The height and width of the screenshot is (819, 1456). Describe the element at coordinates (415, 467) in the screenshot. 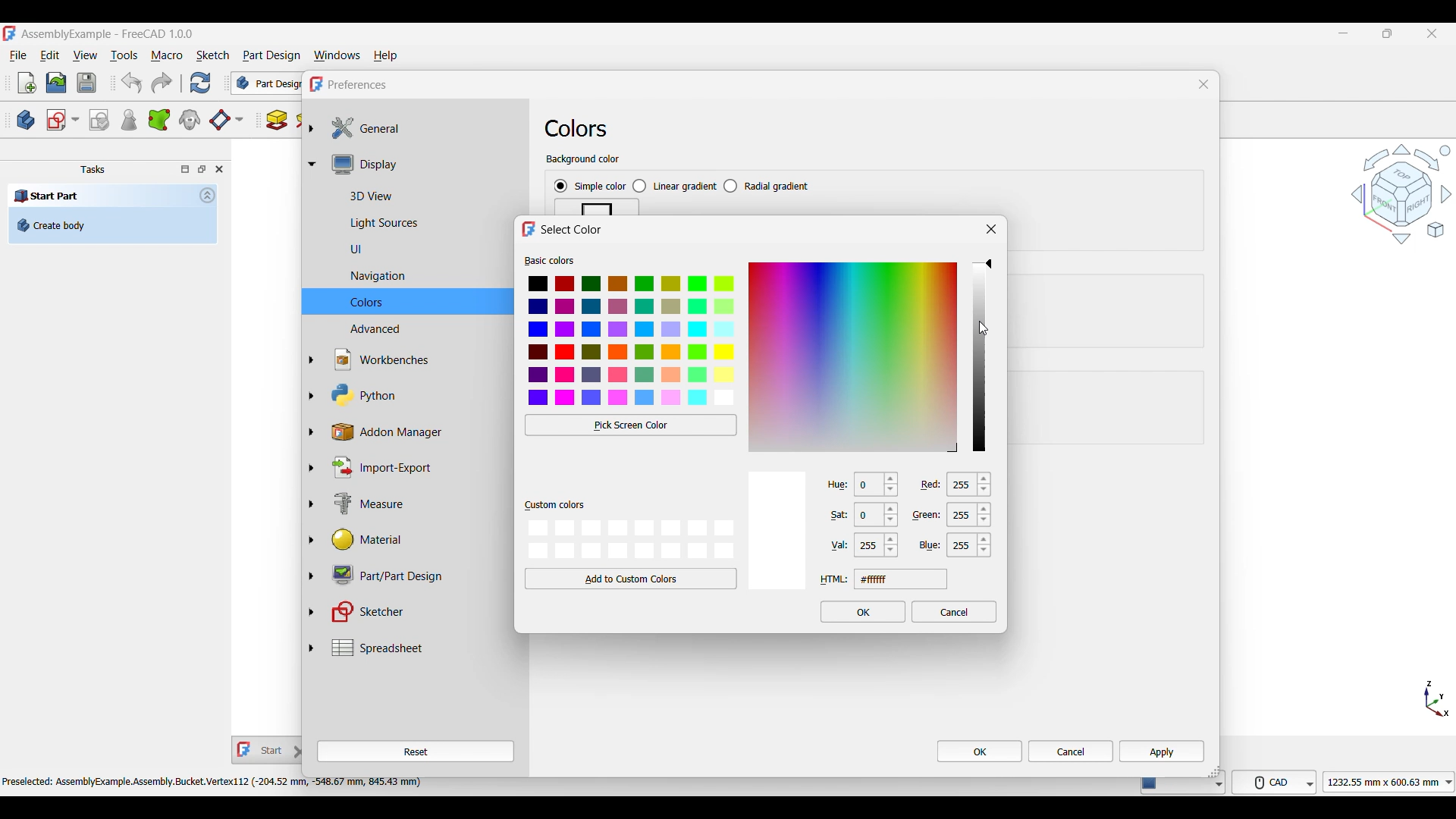

I see `Import-Export` at that location.